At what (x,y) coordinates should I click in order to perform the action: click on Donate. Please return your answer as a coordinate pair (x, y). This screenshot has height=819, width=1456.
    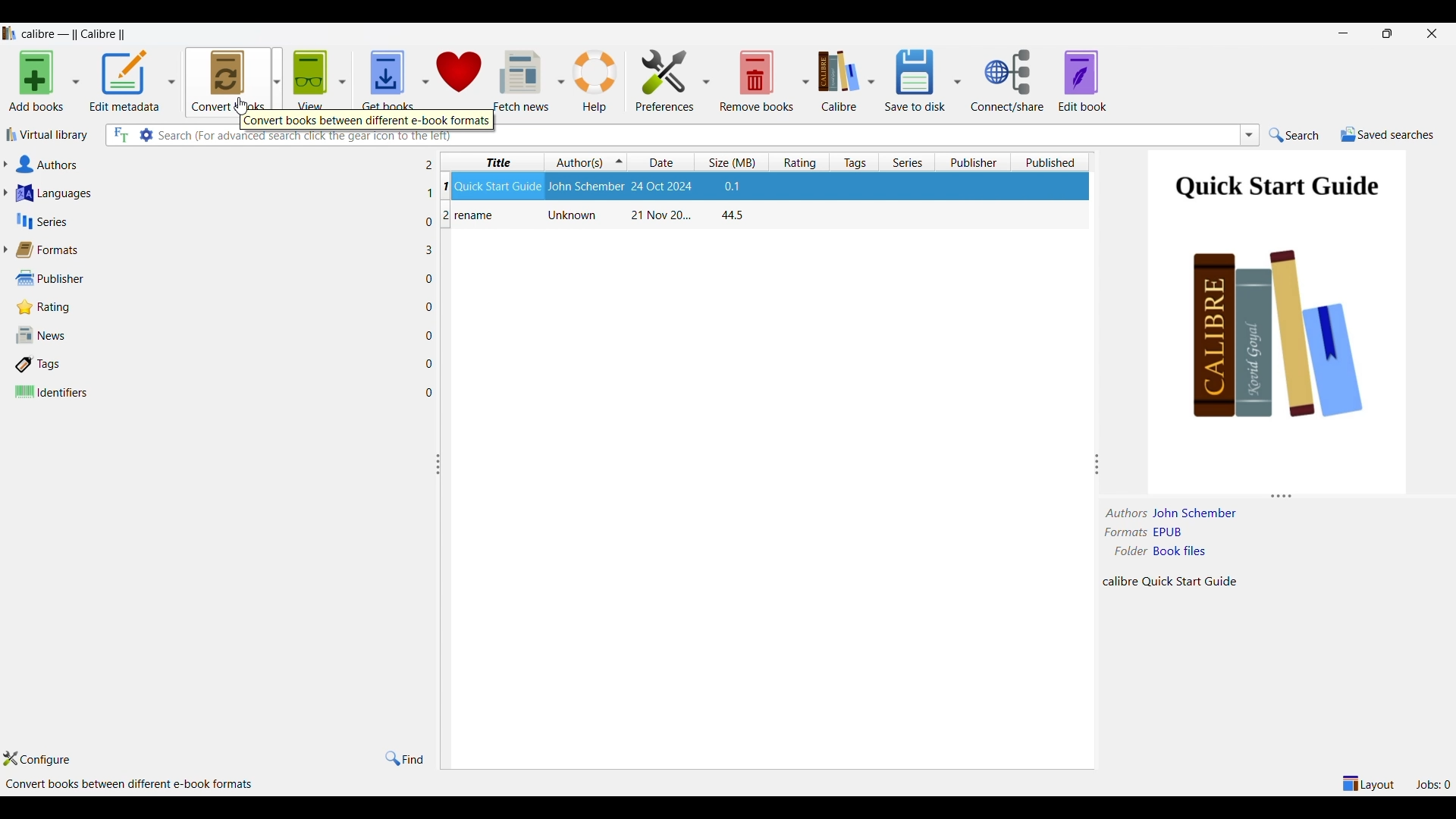
    Looking at the image, I should click on (460, 80).